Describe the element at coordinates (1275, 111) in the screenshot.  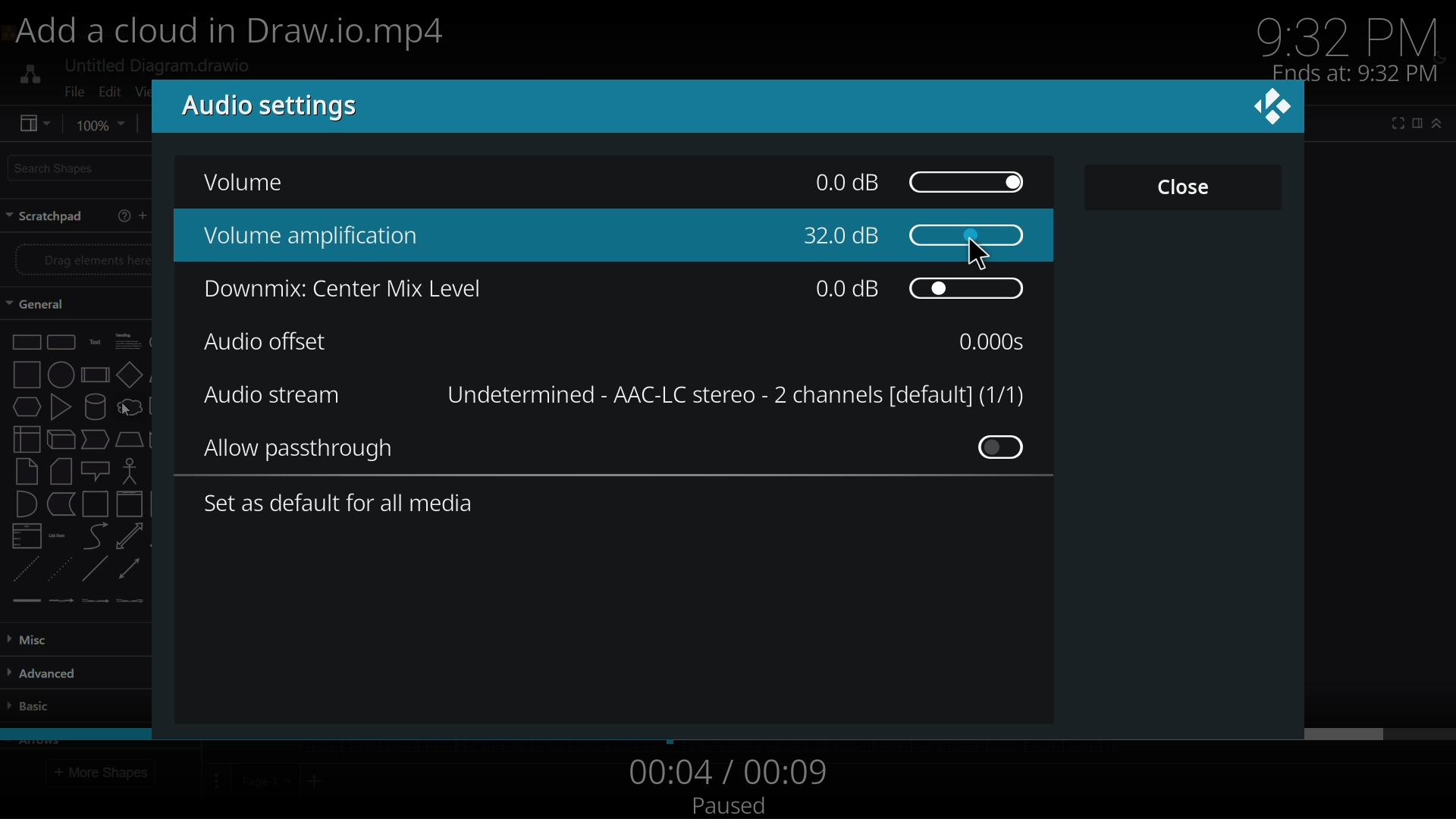
I see `close dialog` at that location.